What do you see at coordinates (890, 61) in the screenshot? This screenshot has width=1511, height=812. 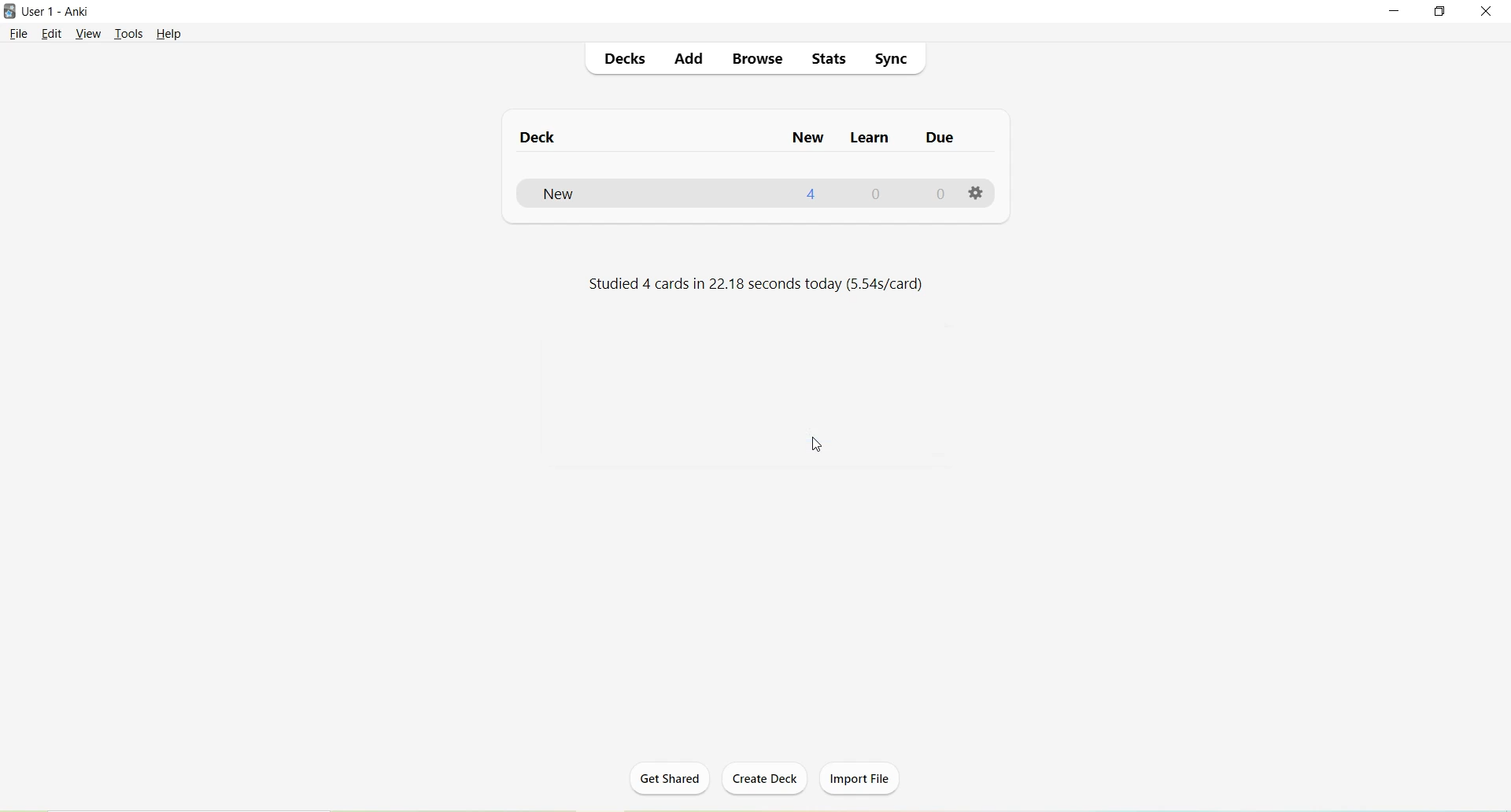 I see `Sync` at bounding box center [890, 61].